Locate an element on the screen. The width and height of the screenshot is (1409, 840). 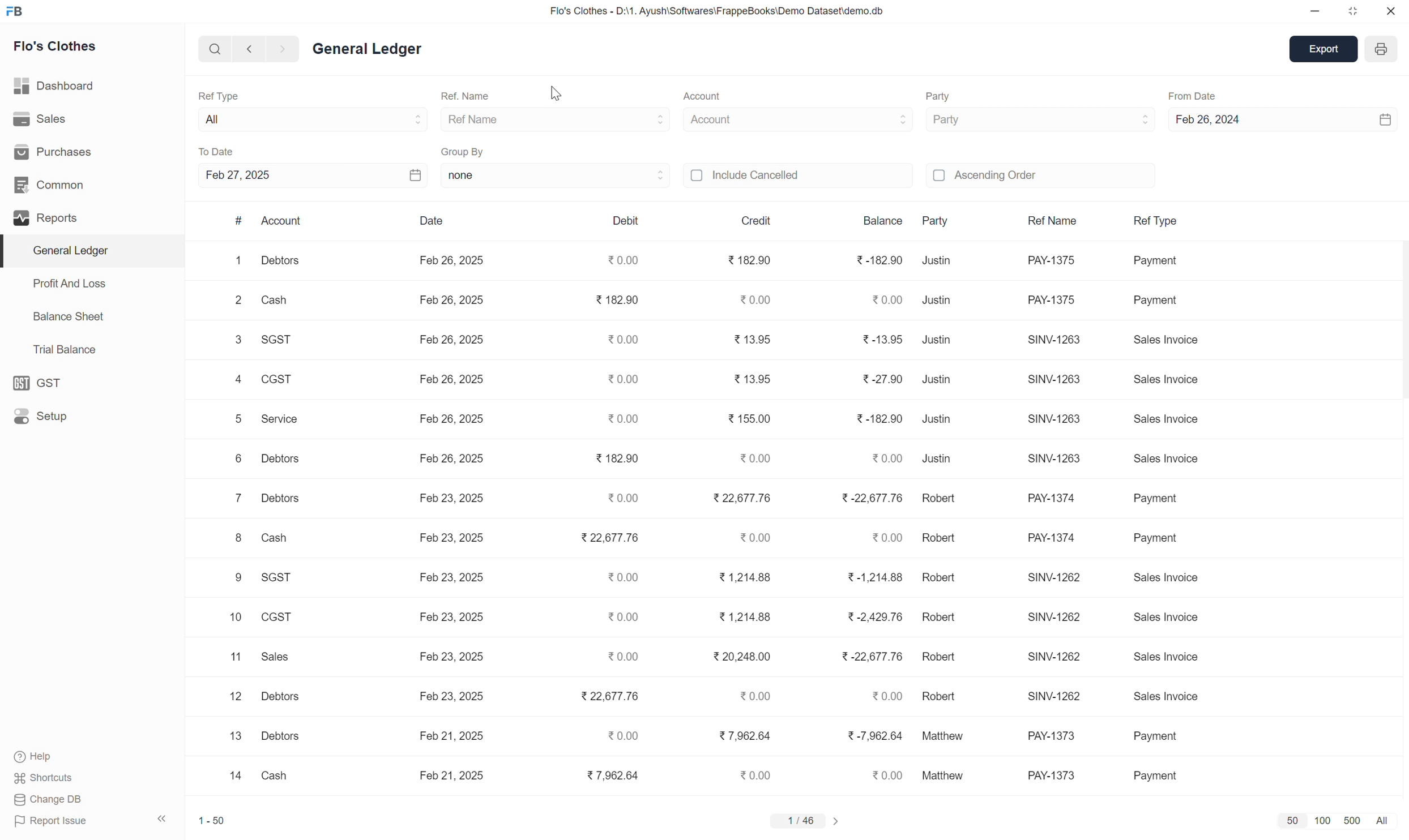
SGST is located at coordinates (278, 577).